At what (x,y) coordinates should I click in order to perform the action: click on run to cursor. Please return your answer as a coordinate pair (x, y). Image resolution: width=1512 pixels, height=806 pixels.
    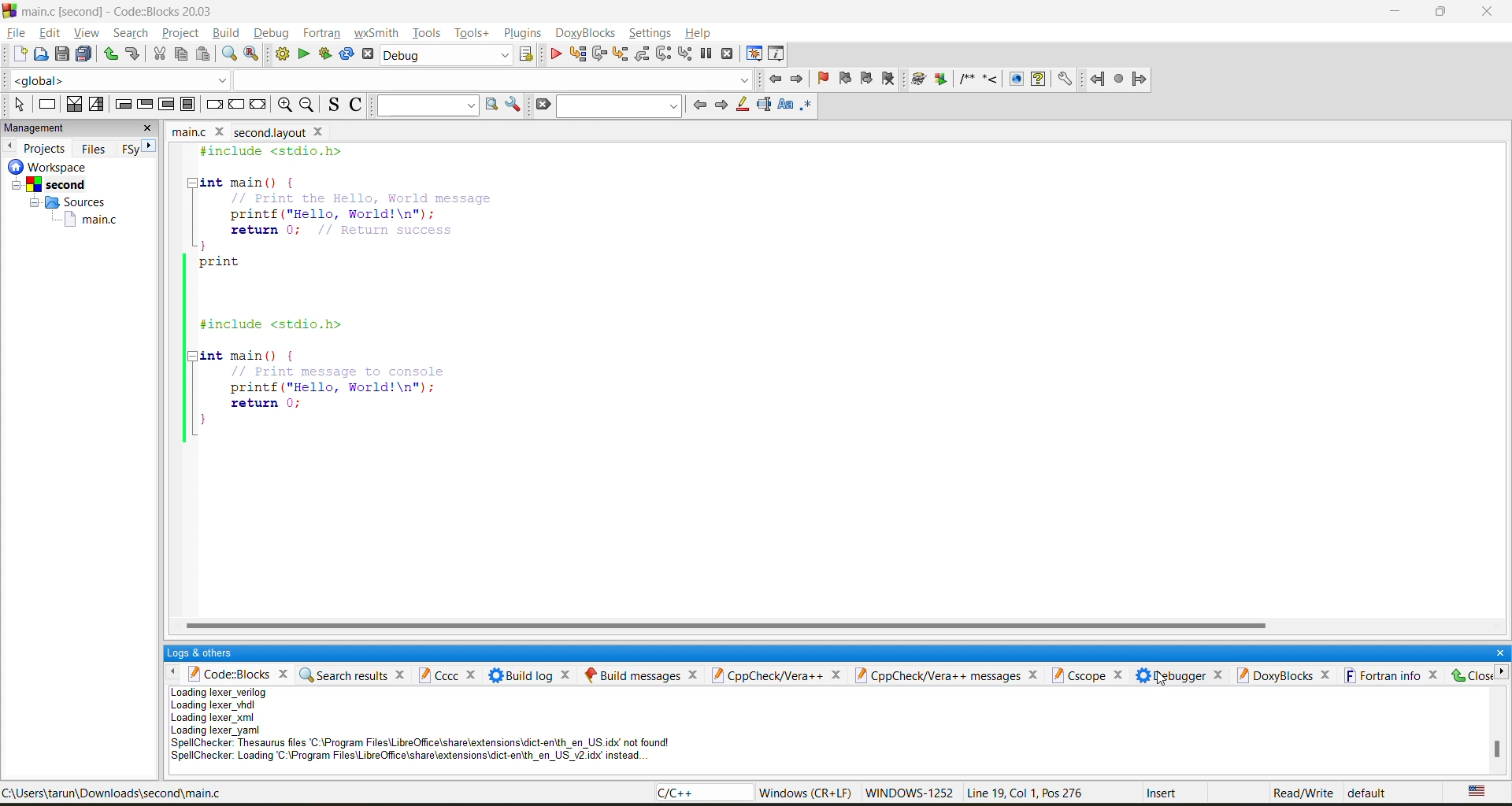
    Looking at the image, I should click on (576, 54).